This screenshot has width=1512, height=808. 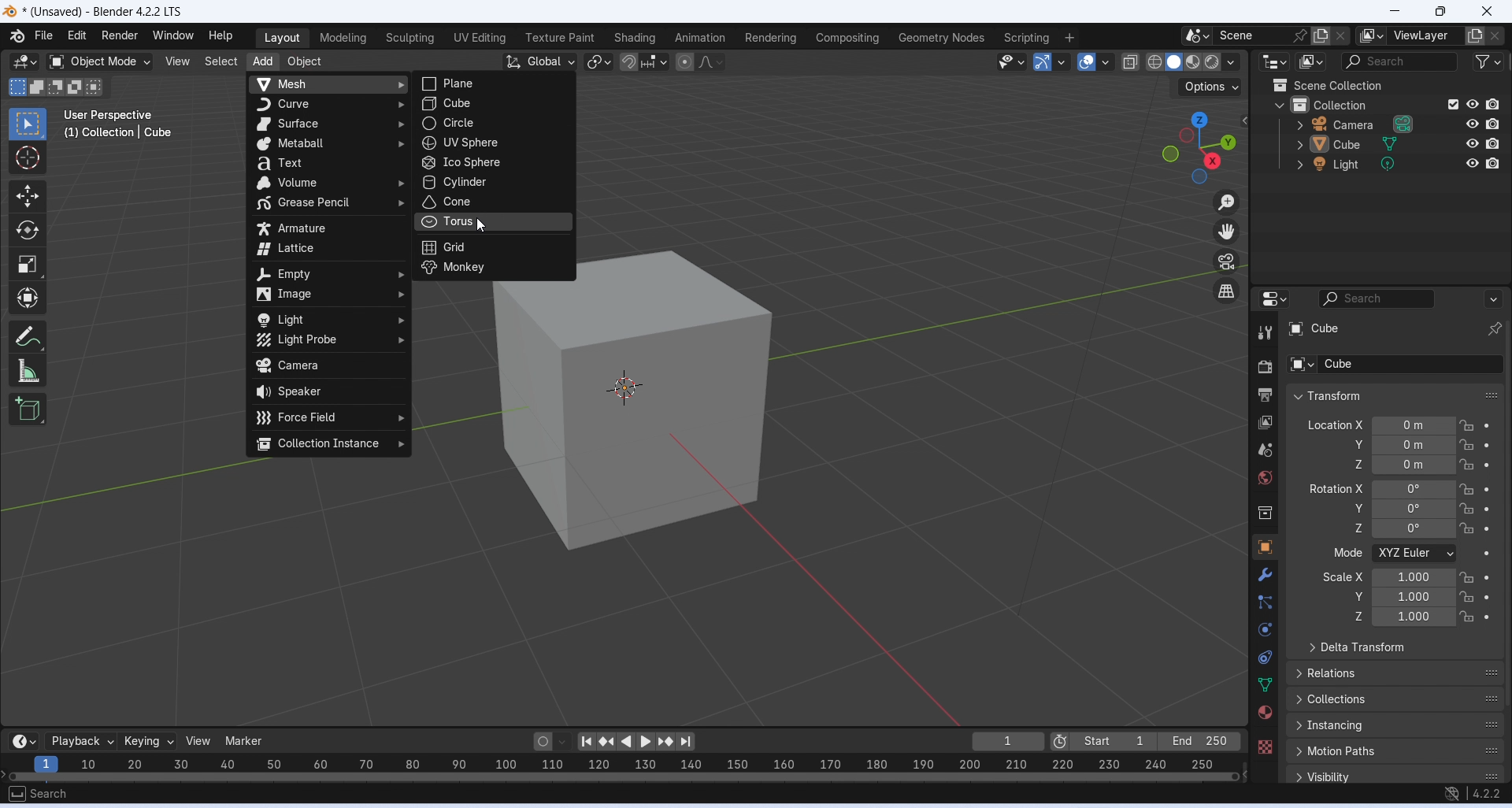 What do you see at coordinates (1395, 11) in the screenshot?
I see `Minimize` at bounding box center [1395, 11].